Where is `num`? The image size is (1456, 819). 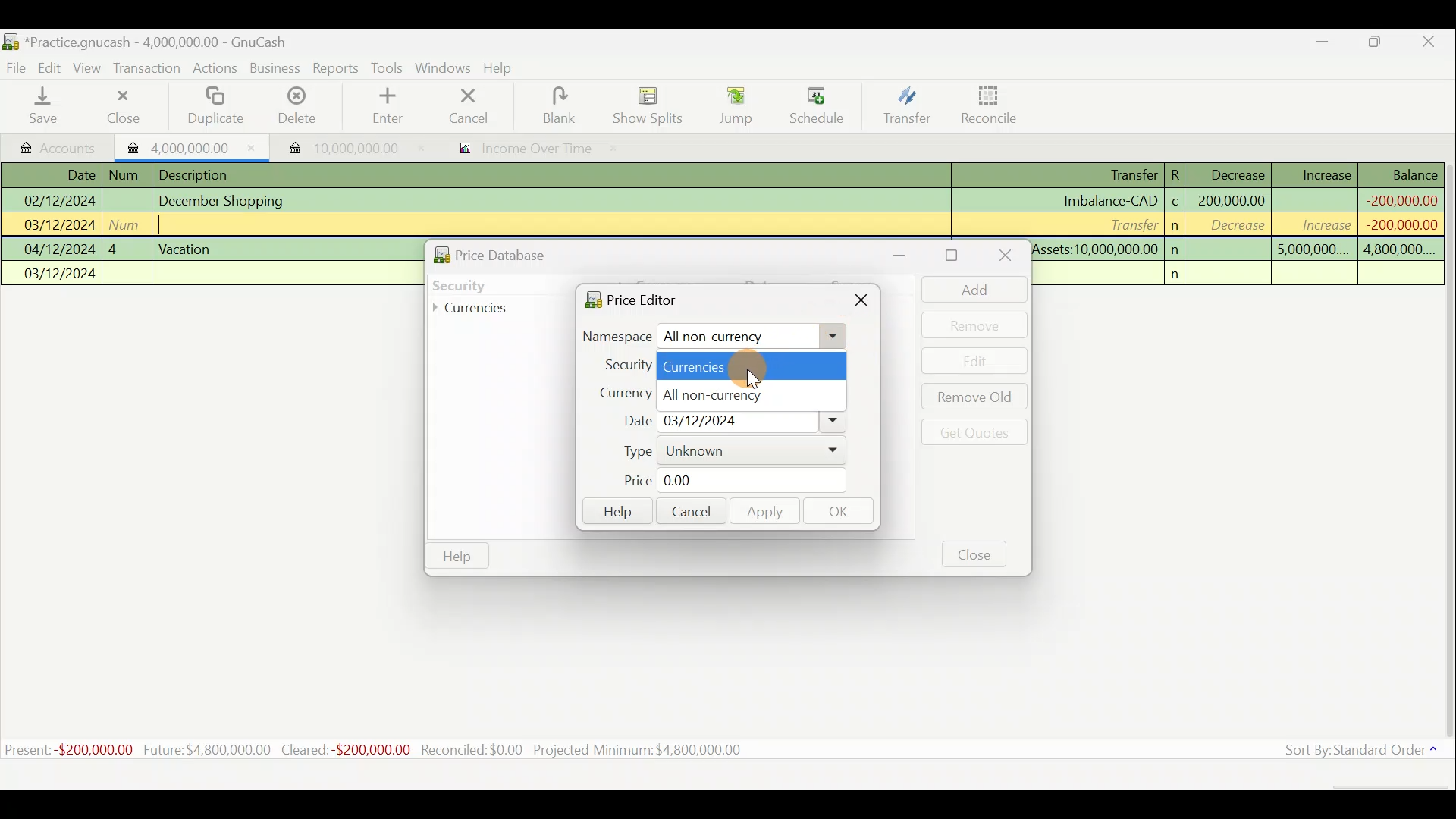 num is located at coordinates (127, 175).